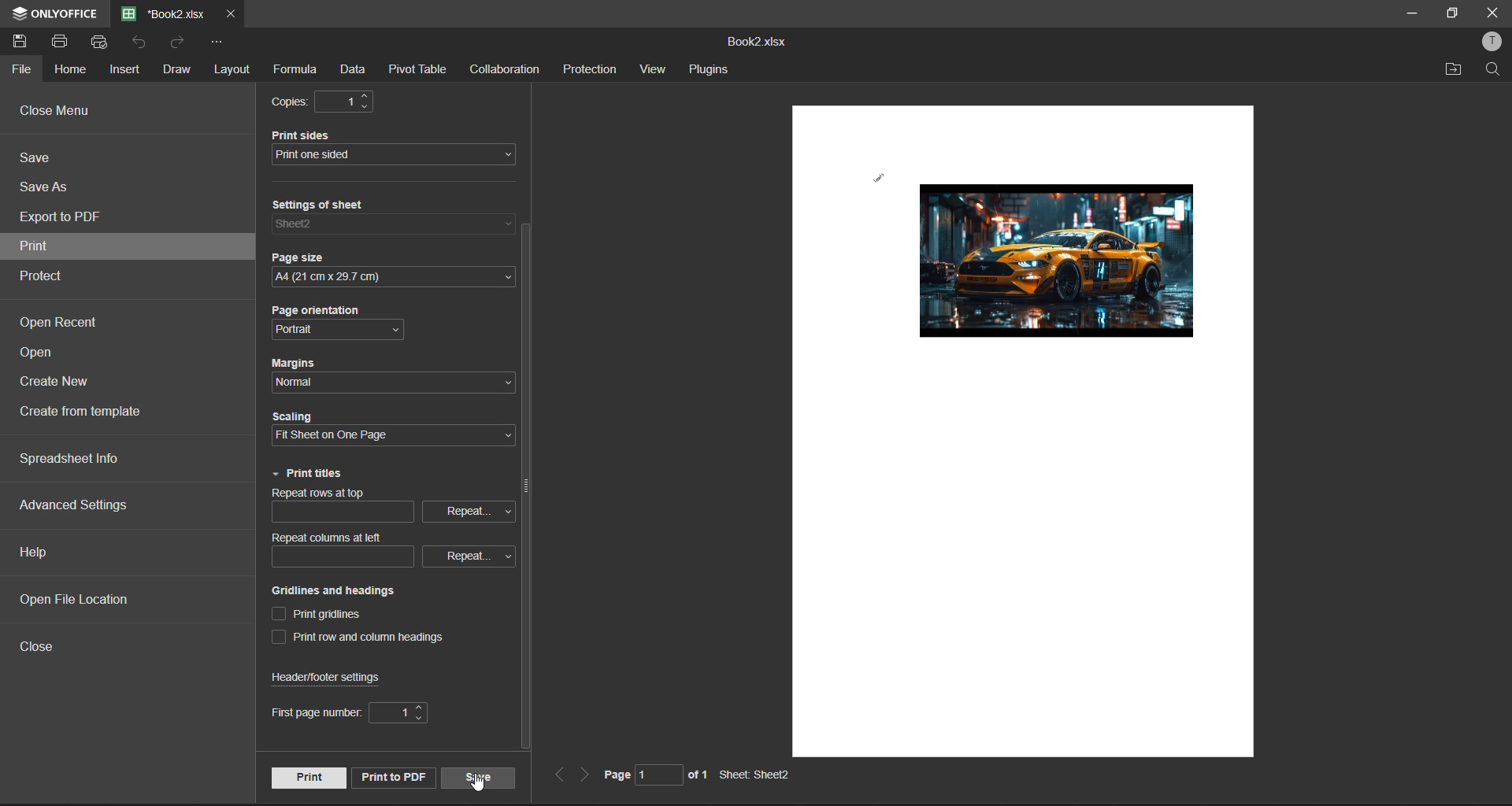  What do you see at coordinates (332, 678) in the screenshot?
I see `header/footer settings` at bounding box center [332, 678].